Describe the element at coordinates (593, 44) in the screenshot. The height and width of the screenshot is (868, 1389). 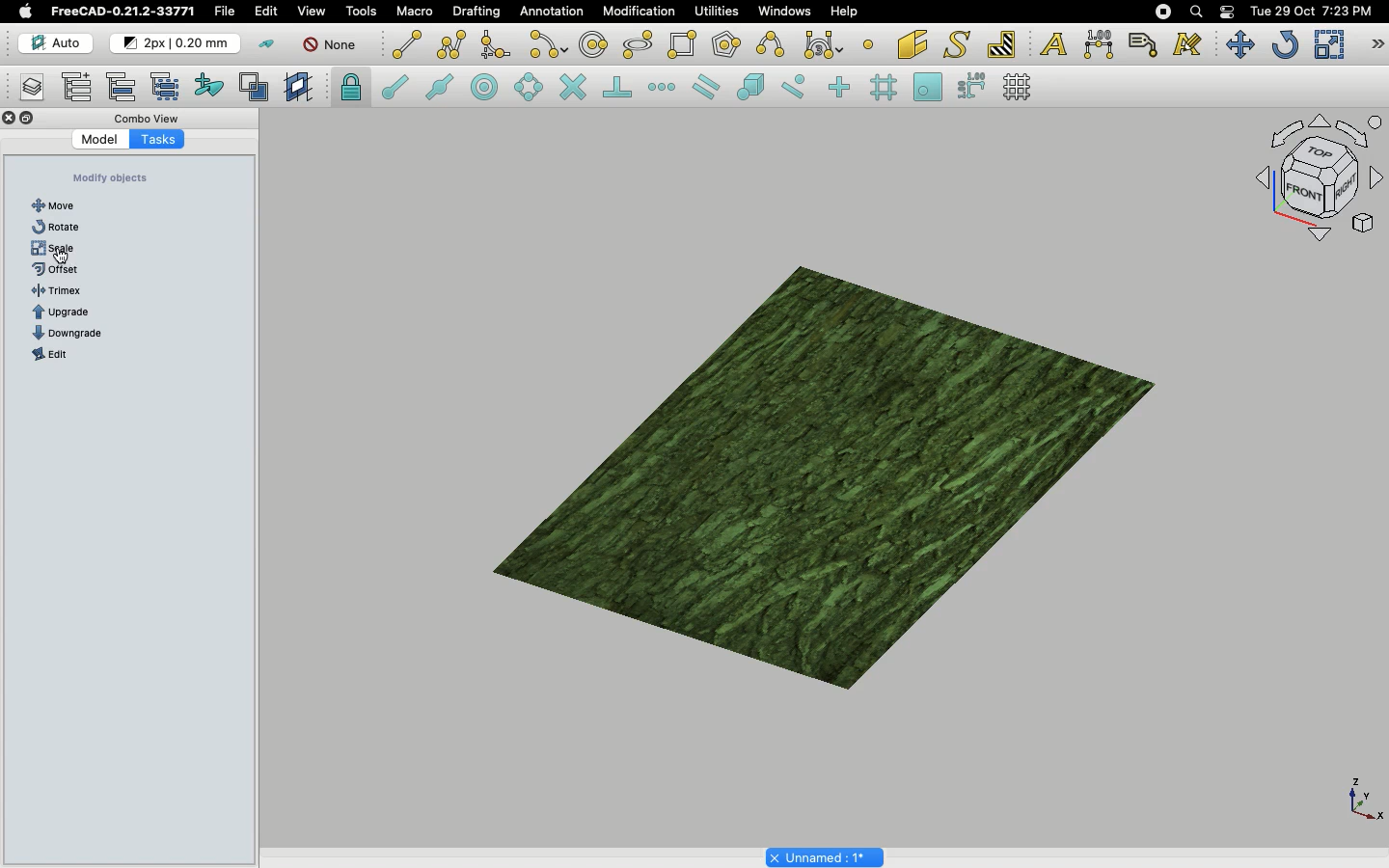
I see `Circle` at that location.